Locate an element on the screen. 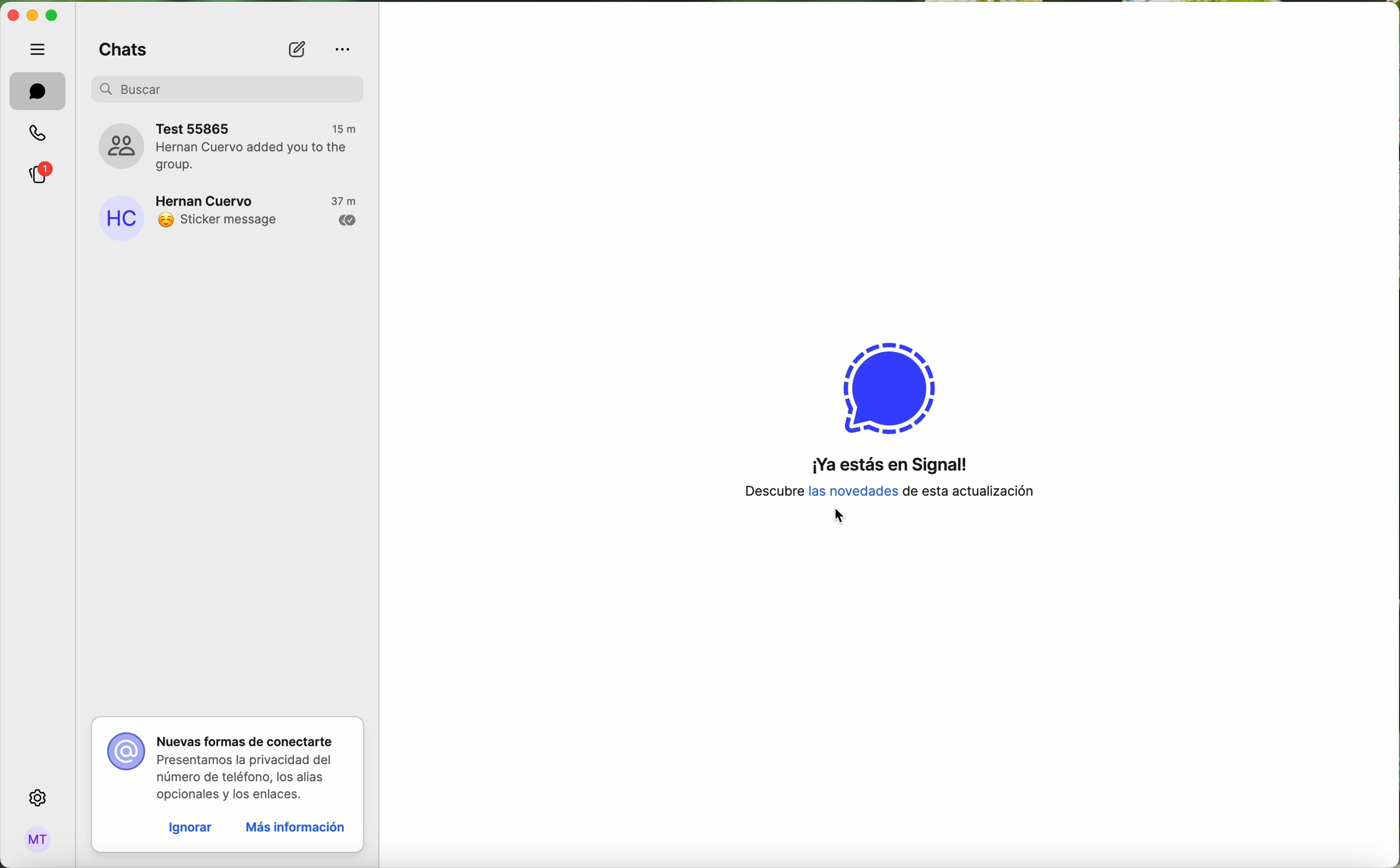 This screenshot has width=1400, height=868. chats is located at coordinates (120, 46).